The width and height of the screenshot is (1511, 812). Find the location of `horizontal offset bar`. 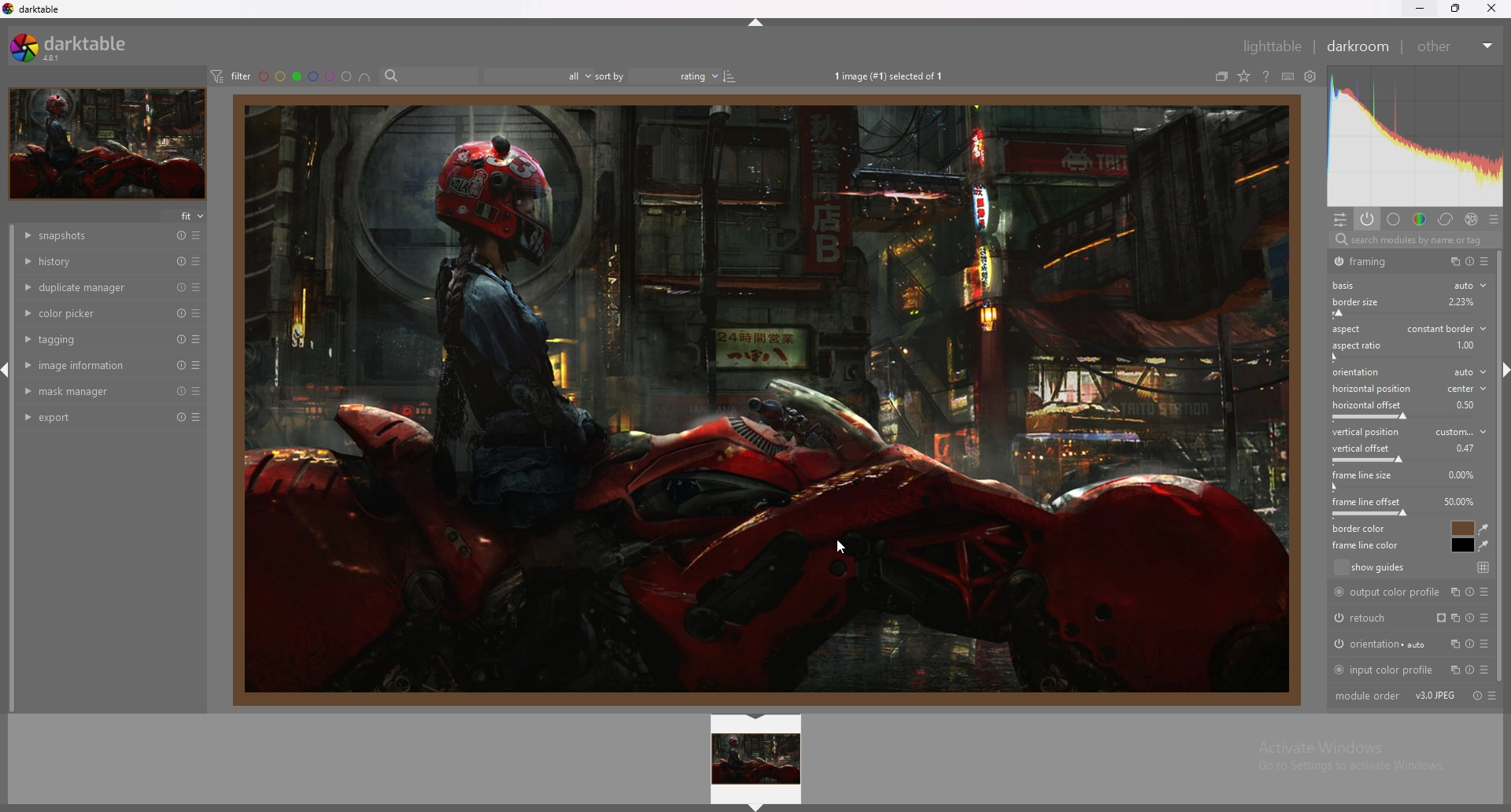

horizontal offset bar is located at coordinates (1403, 415).